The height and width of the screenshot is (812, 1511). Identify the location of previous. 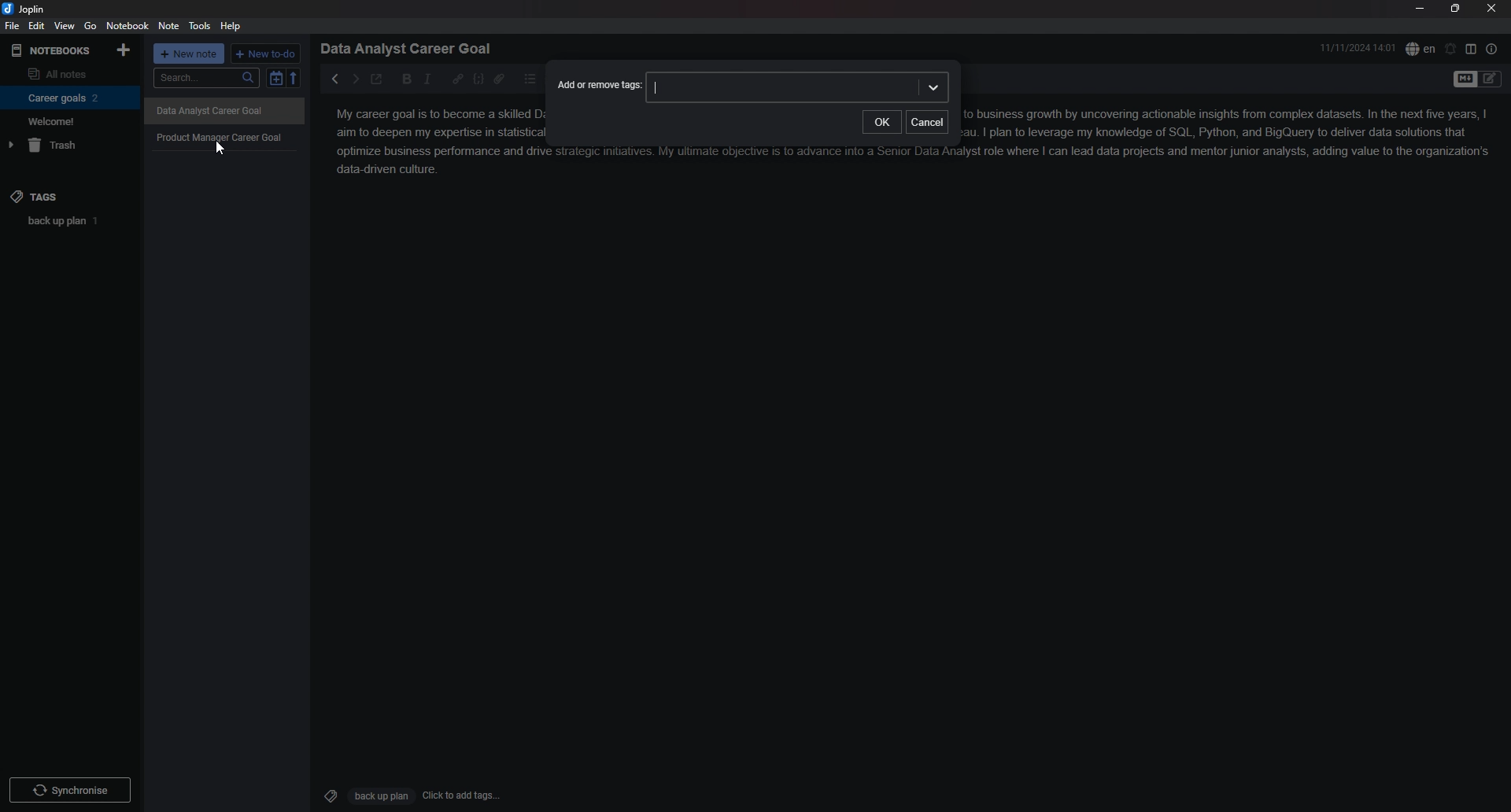
(334, 79).